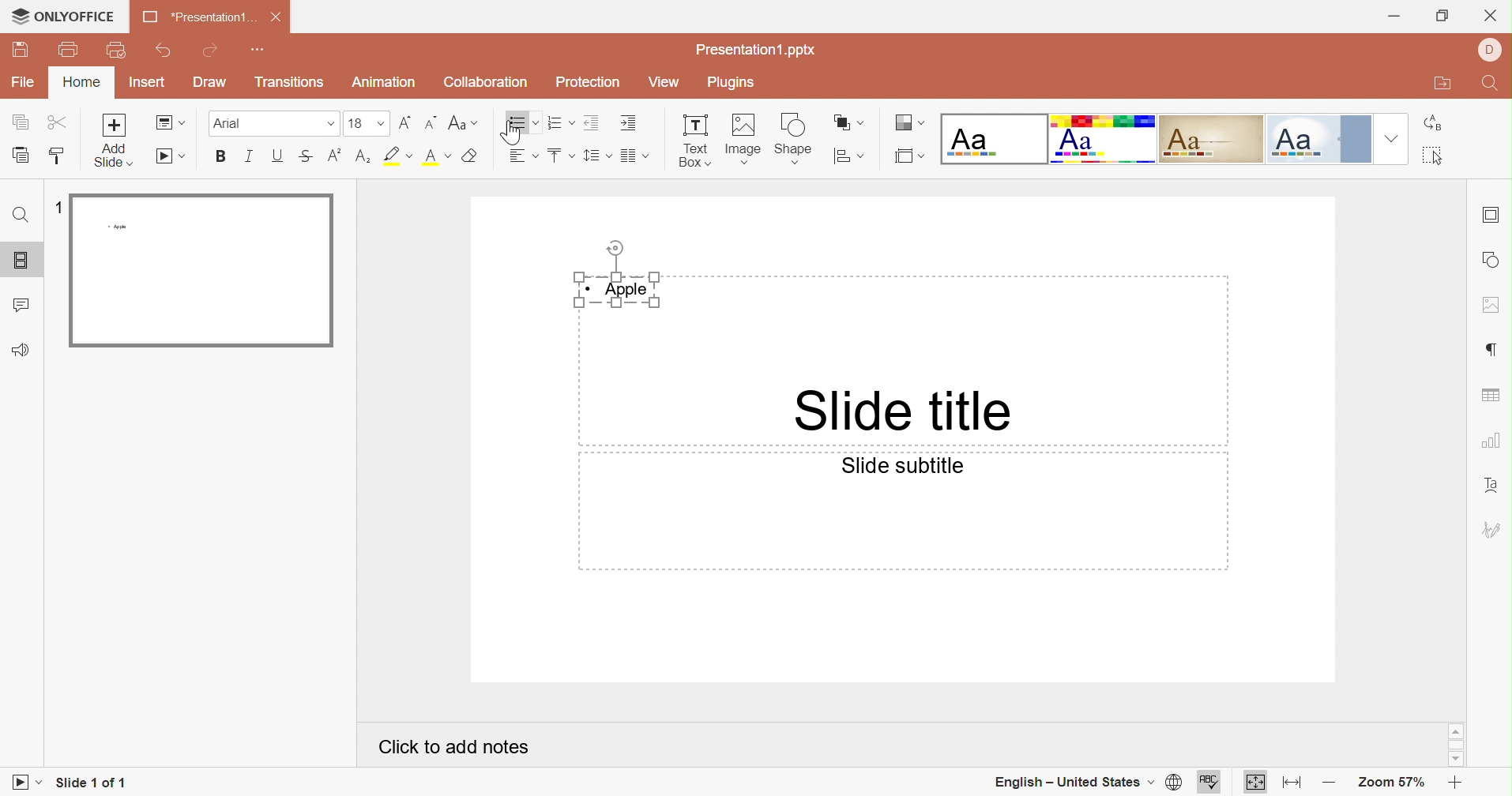 Image resolution: width=1512 pixels, height=796 pixels. Describe the element at coordinates (261, 50) in the screenshot. I see `Customize quick access toolbar` at that location.